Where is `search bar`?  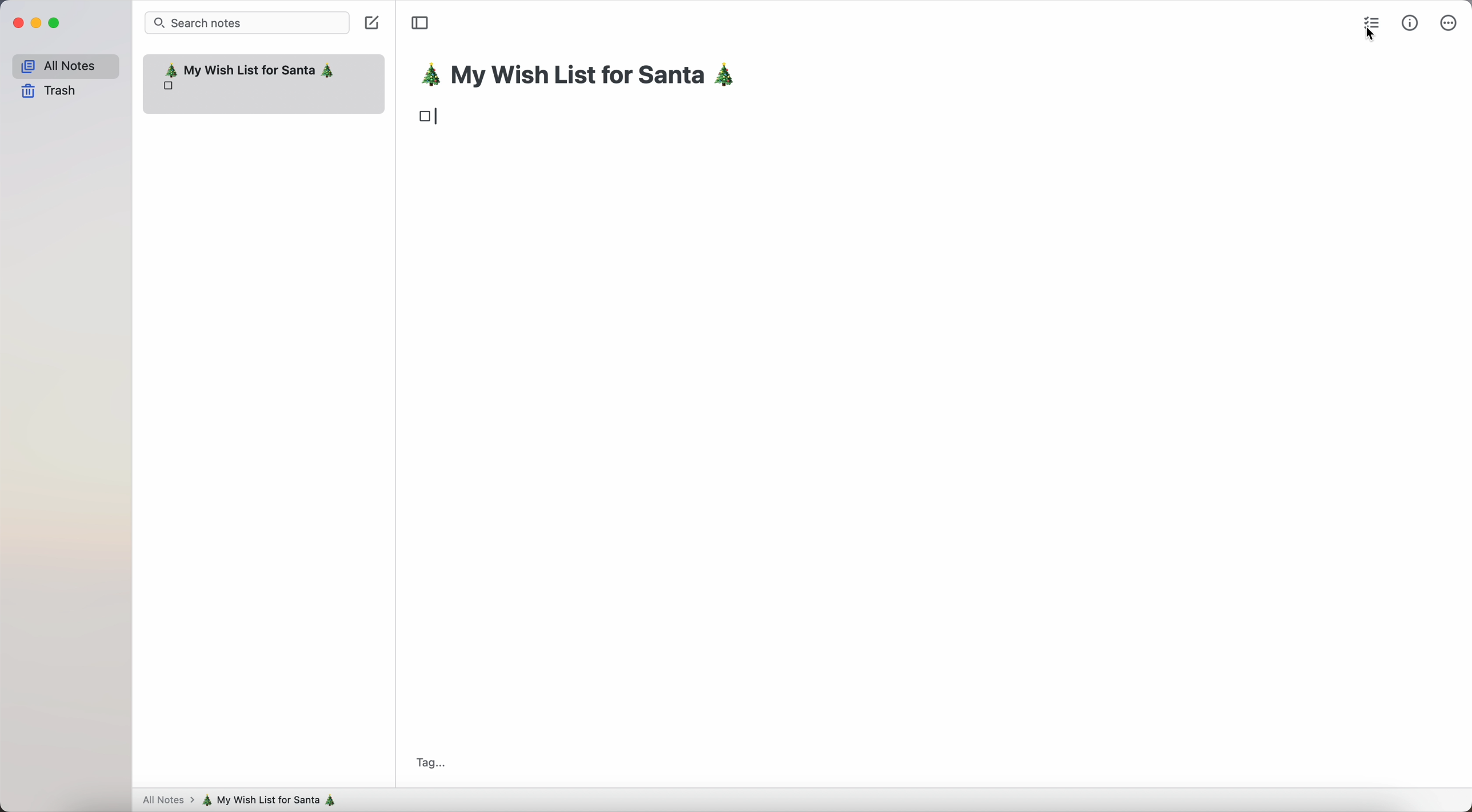 search bar is located at coordinates (247, 22).